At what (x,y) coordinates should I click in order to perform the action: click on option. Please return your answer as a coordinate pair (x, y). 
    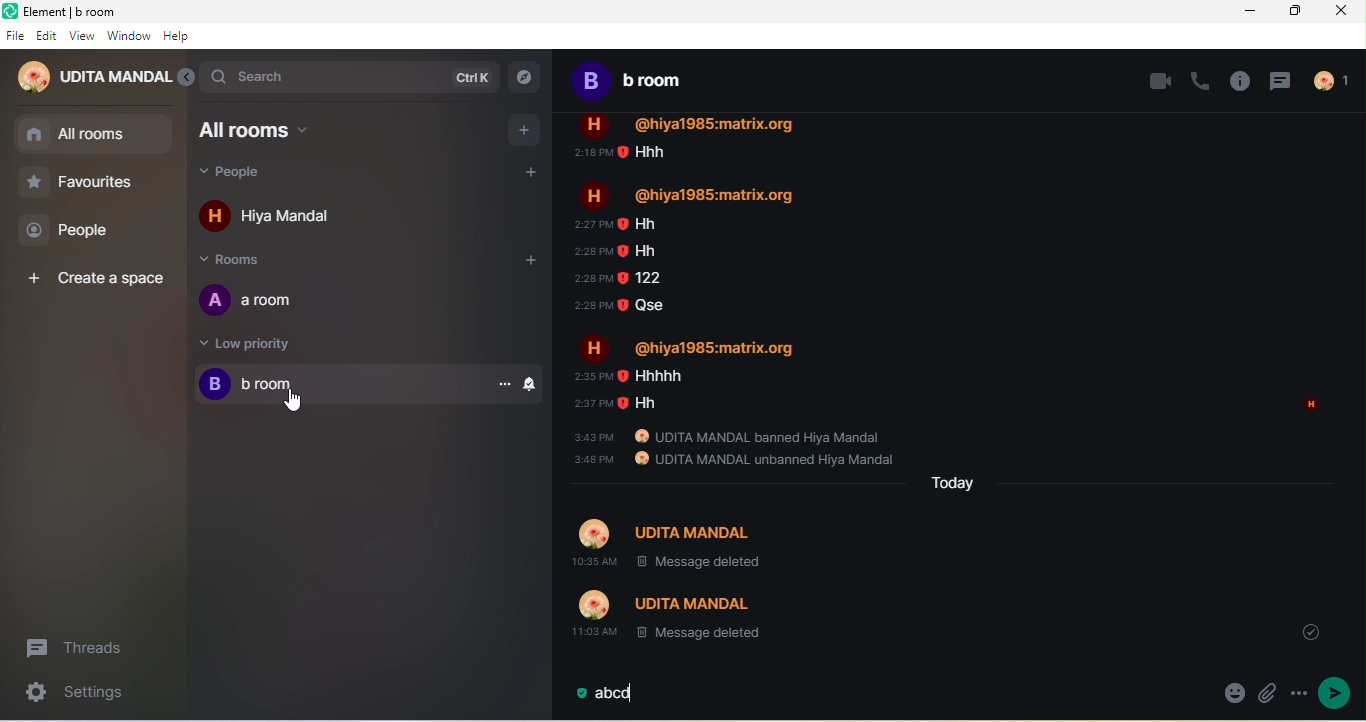
    Looking at the image, I should click on (1298, 696).